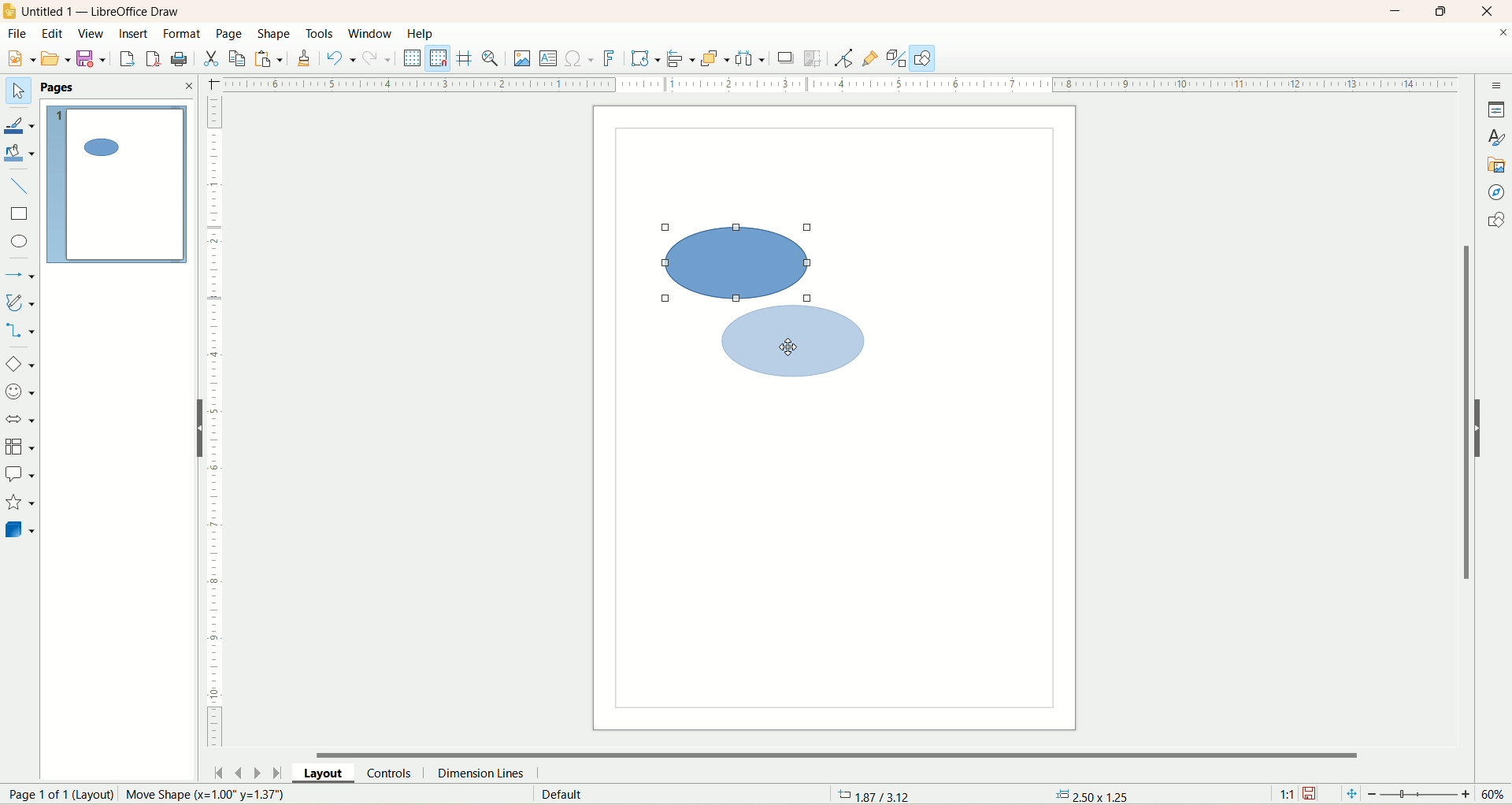 This screenshot has height=805, width=1512. What do you see at coordinates (185, 60) in the screenshot?
I see `print` at bounding box center [185, 60].